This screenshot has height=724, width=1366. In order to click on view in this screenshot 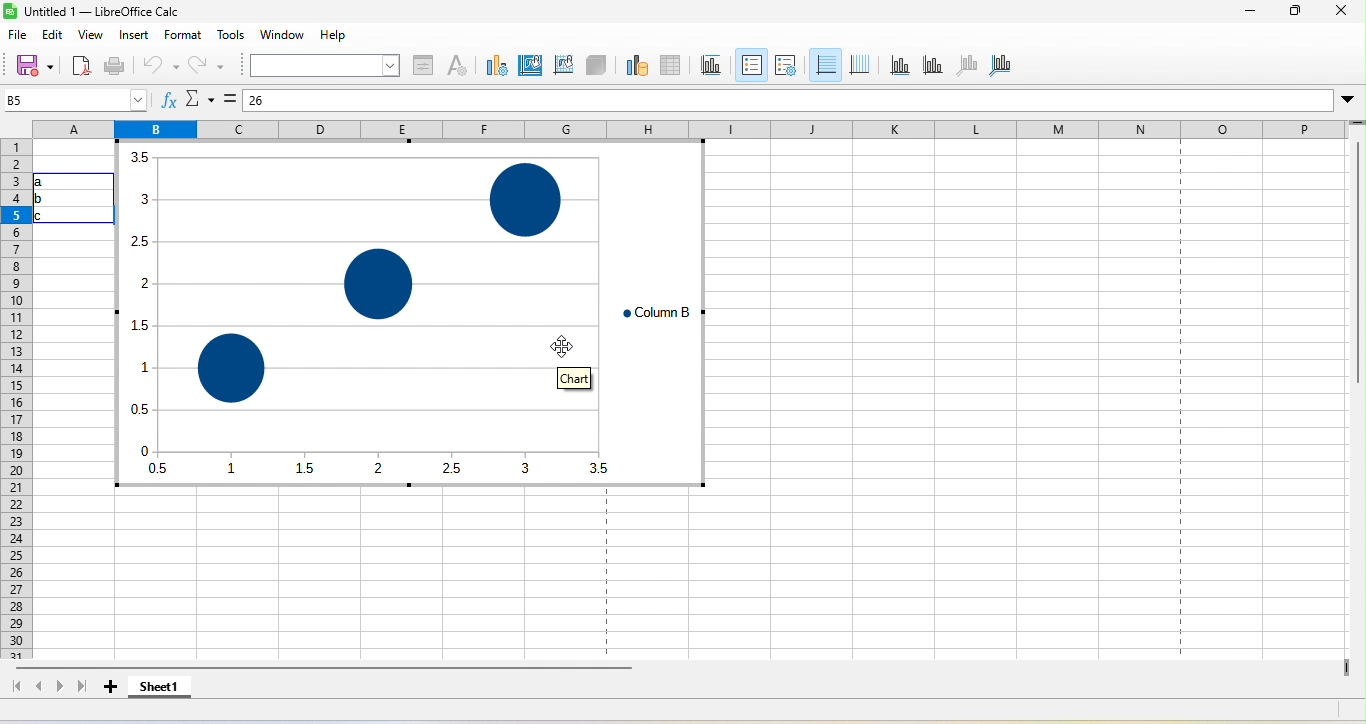, I will do `click(94, 39)`.